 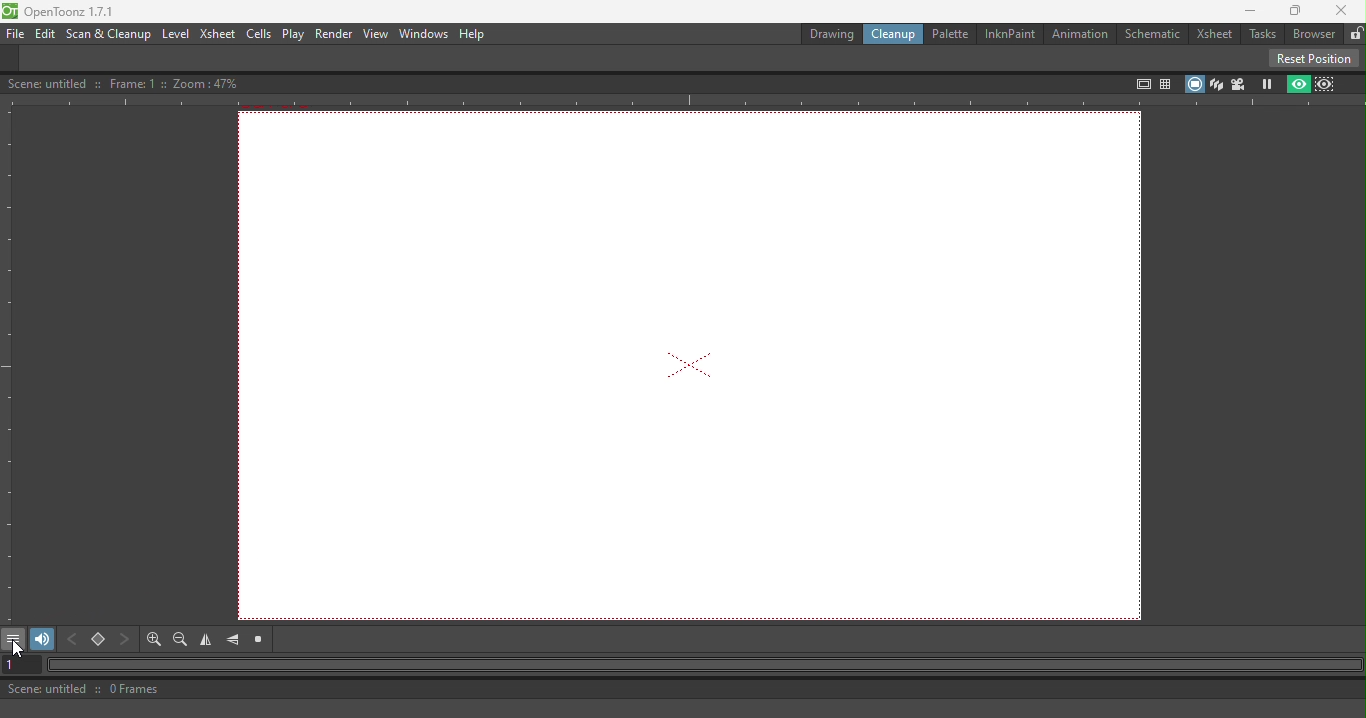 What do you see at coordinates (44, 33) in the screenshot?
I see `Edit` at bounding box center [44, 33].